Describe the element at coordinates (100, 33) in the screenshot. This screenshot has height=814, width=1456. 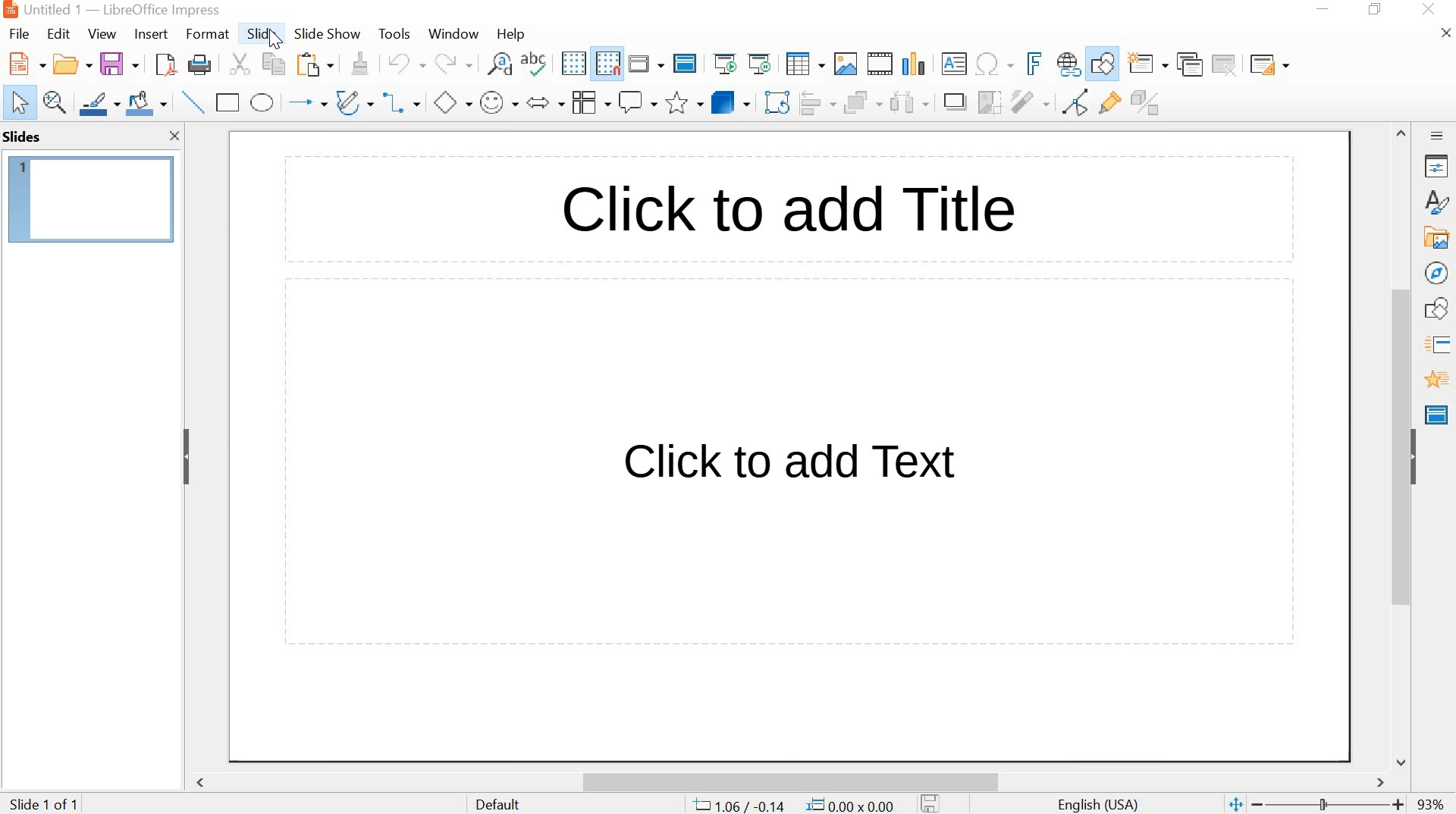
I see `VIEW` at that location.